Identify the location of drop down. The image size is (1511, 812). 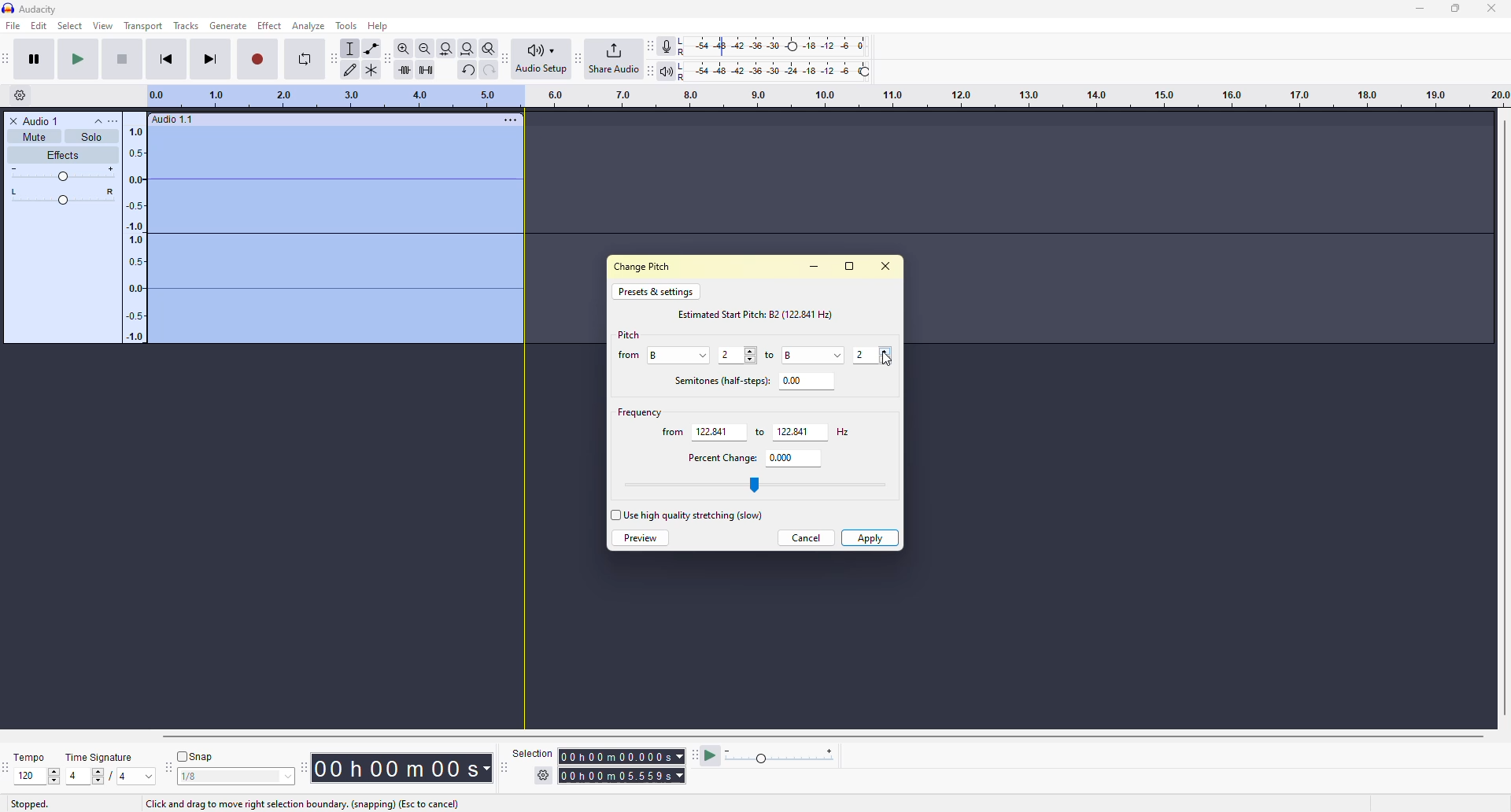
(149, 777).